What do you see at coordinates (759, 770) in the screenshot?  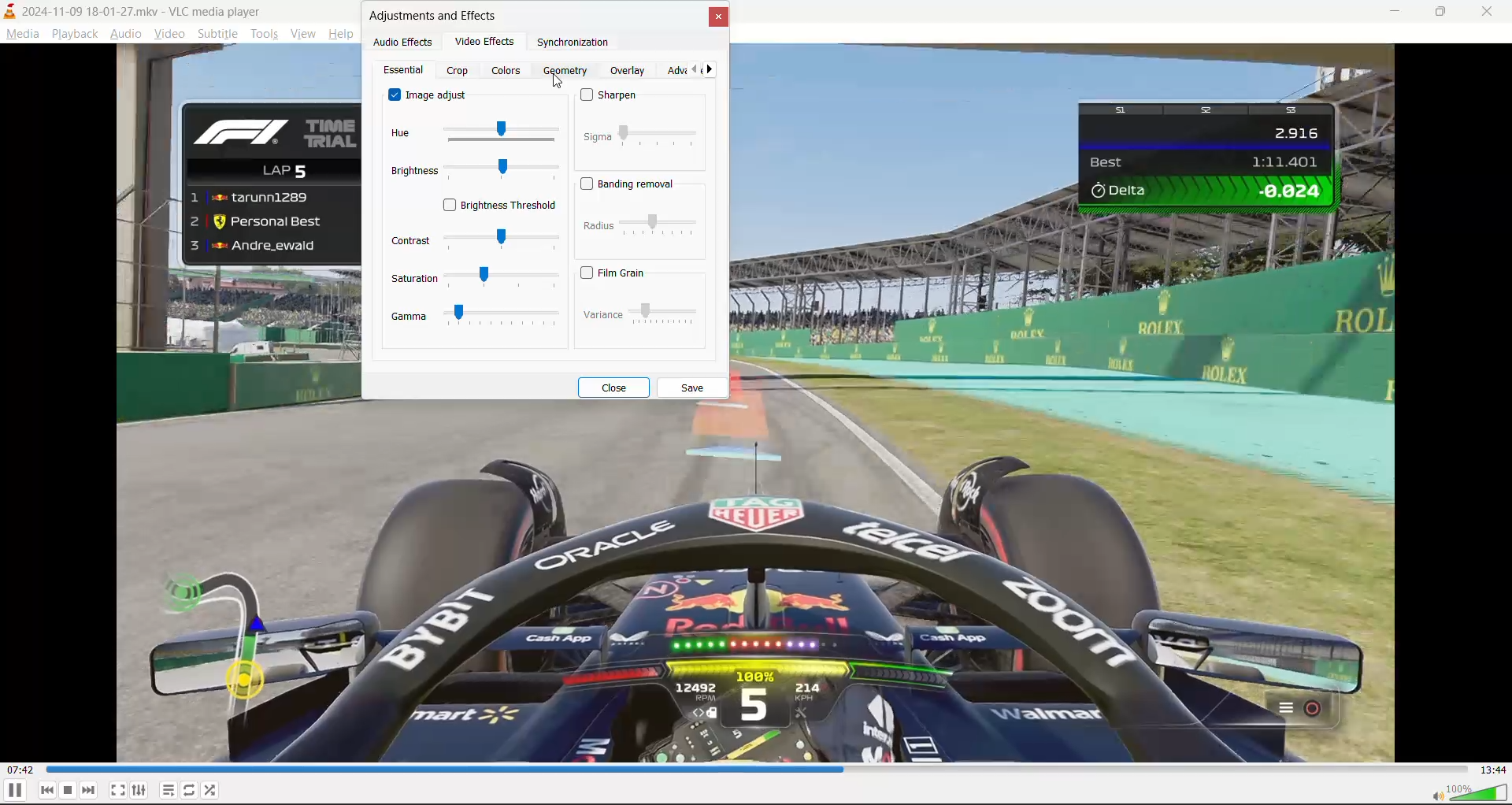 I see `track slider` at bounding box center [759, 770].